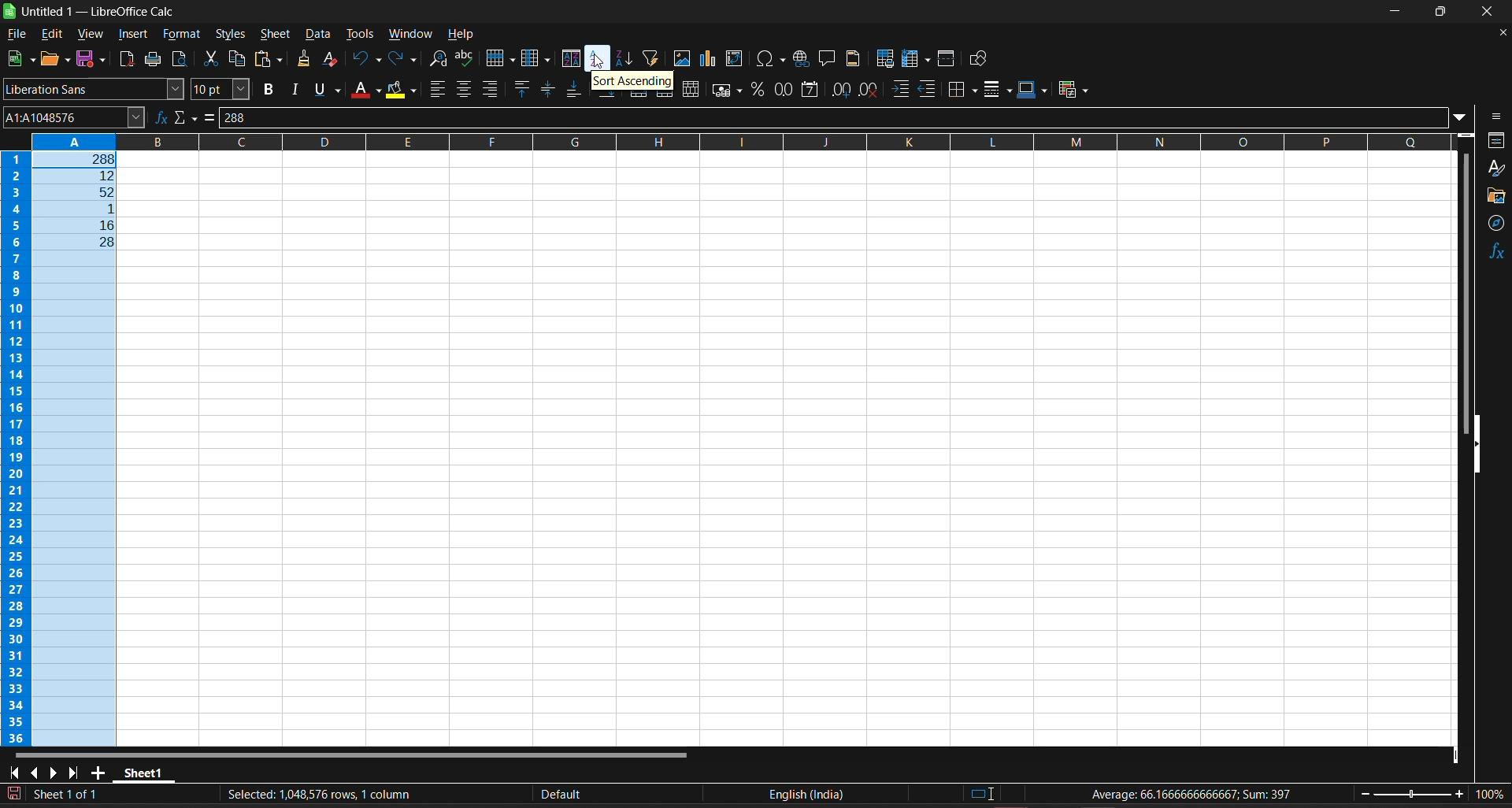  What do you see at coordinates (400, 90) in the screenshot?
I see `background color` at bounding box center [400, 90].